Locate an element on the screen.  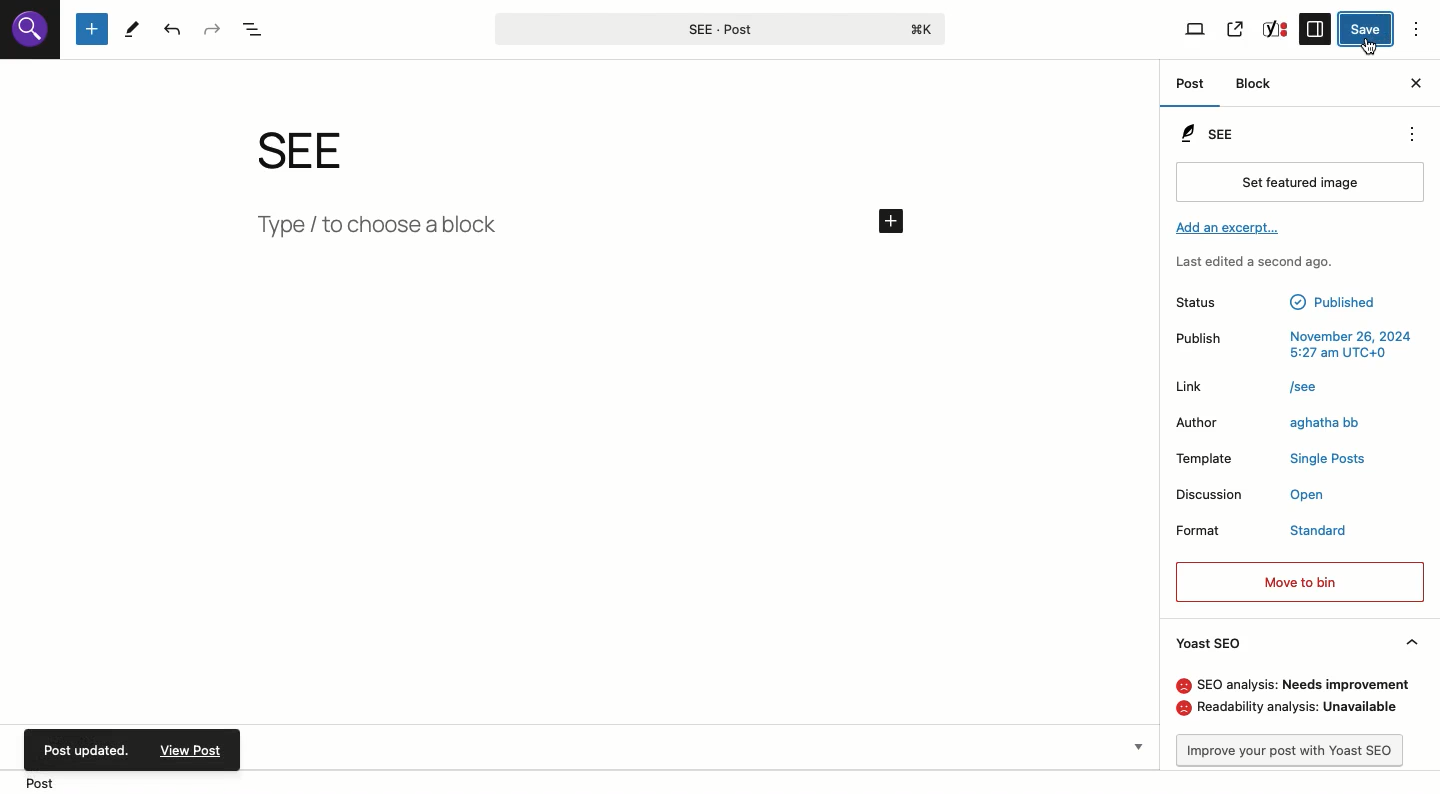
logo is located at coordinates (29, 35).